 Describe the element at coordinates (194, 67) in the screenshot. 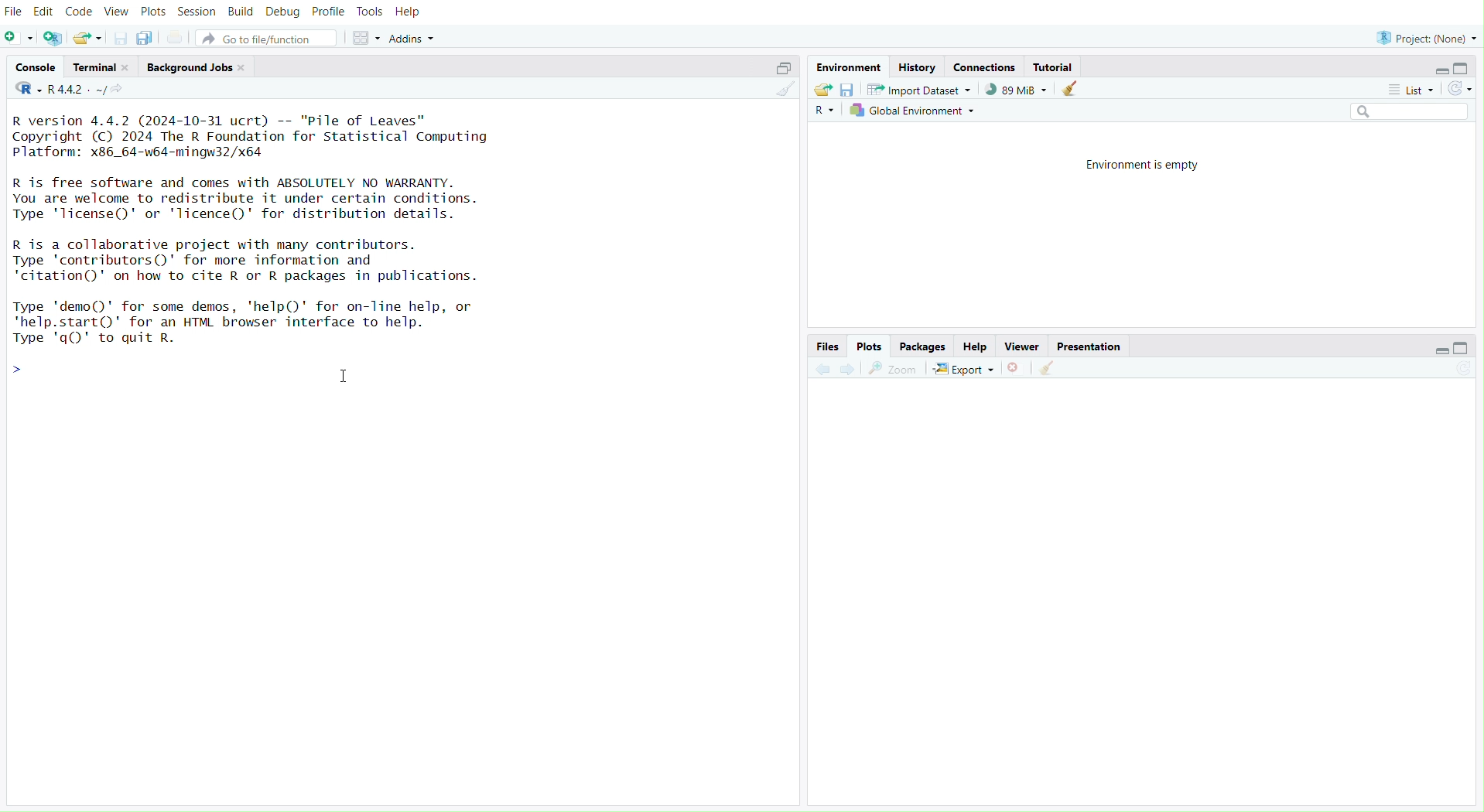

I see `Background Jobs` at that location.